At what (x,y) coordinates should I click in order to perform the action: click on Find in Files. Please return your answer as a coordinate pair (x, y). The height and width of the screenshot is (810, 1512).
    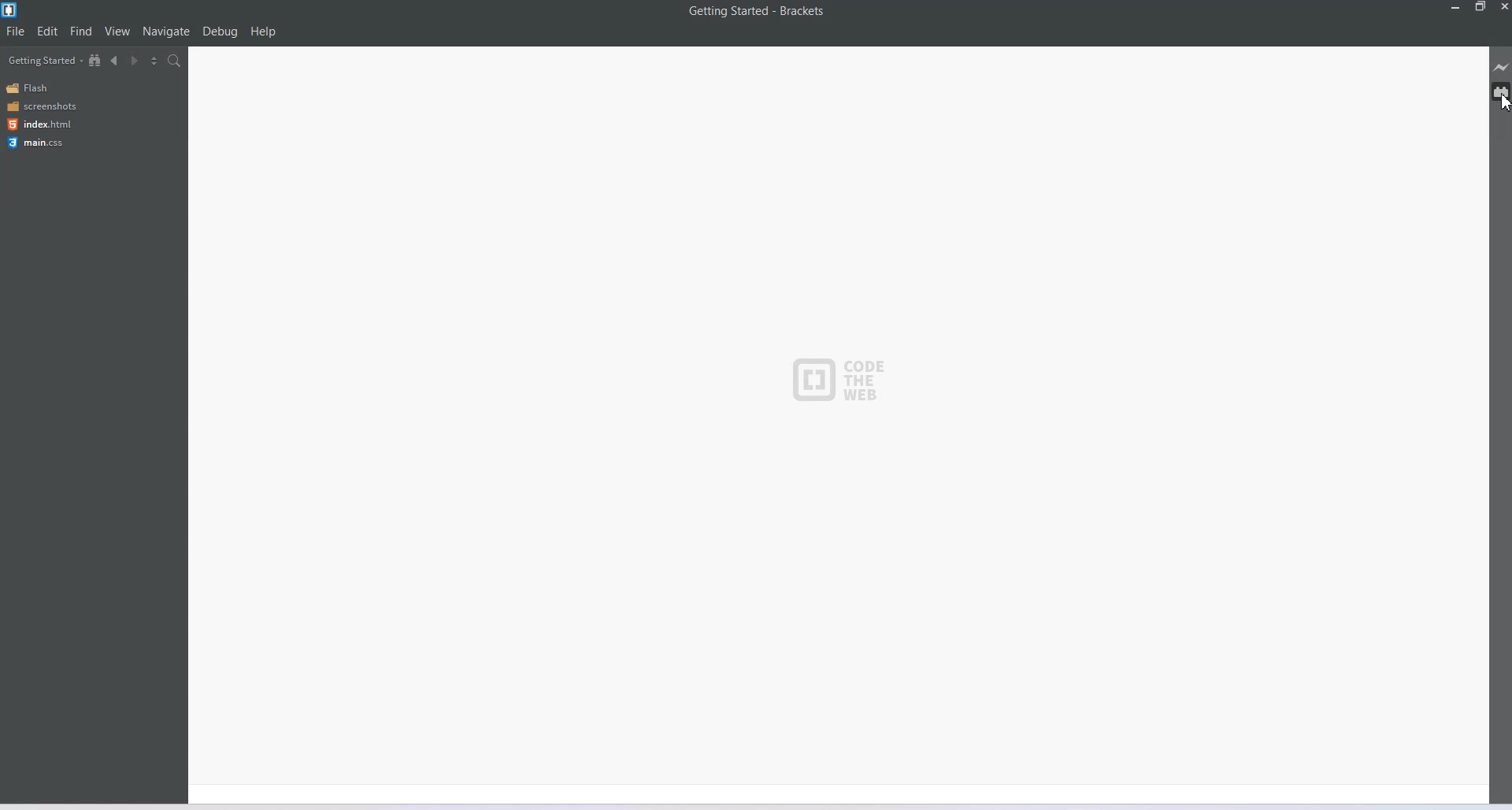
    Looking at the image, I should click on (175, 61).